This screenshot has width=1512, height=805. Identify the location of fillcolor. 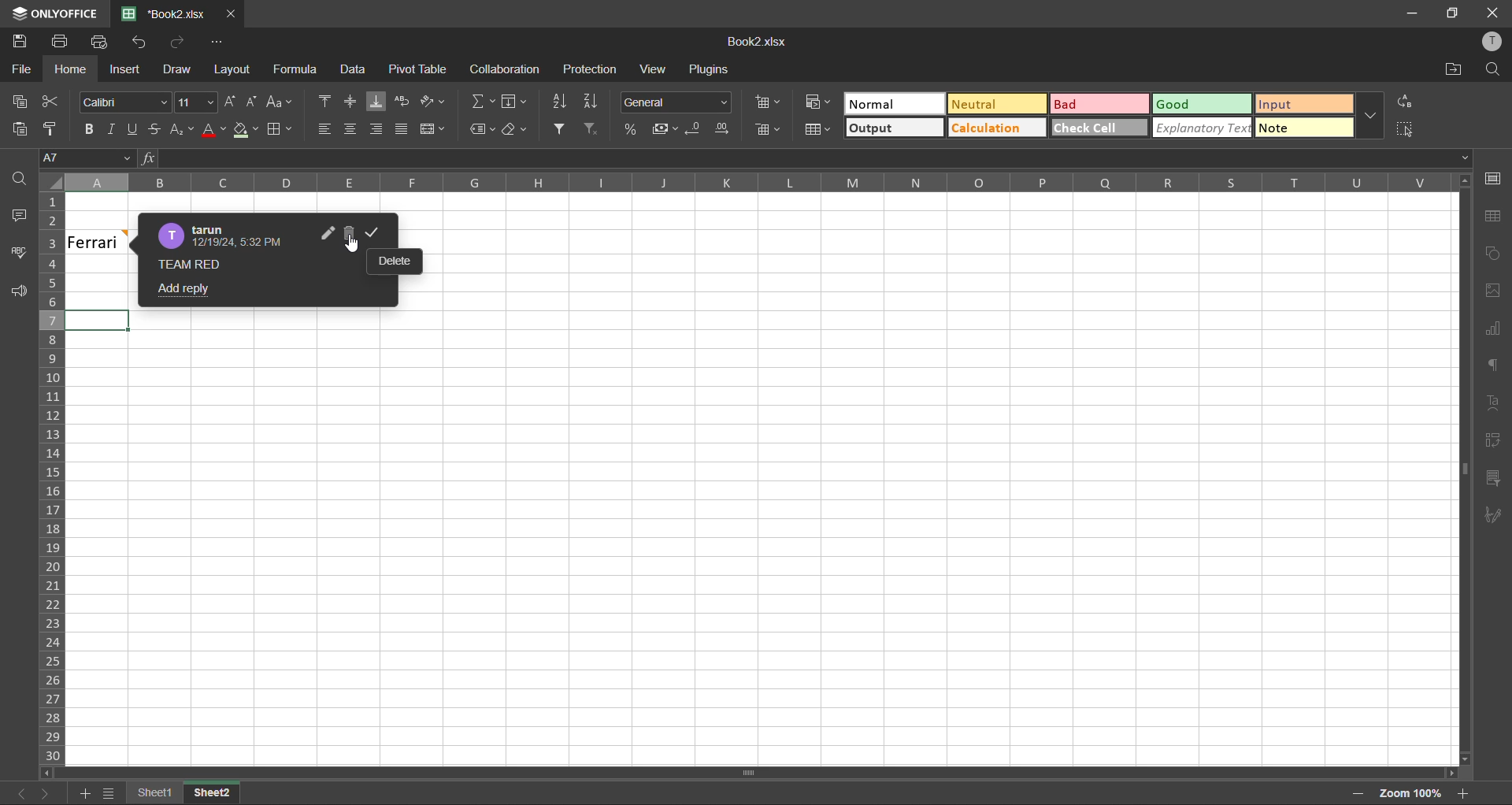
(244, 131).